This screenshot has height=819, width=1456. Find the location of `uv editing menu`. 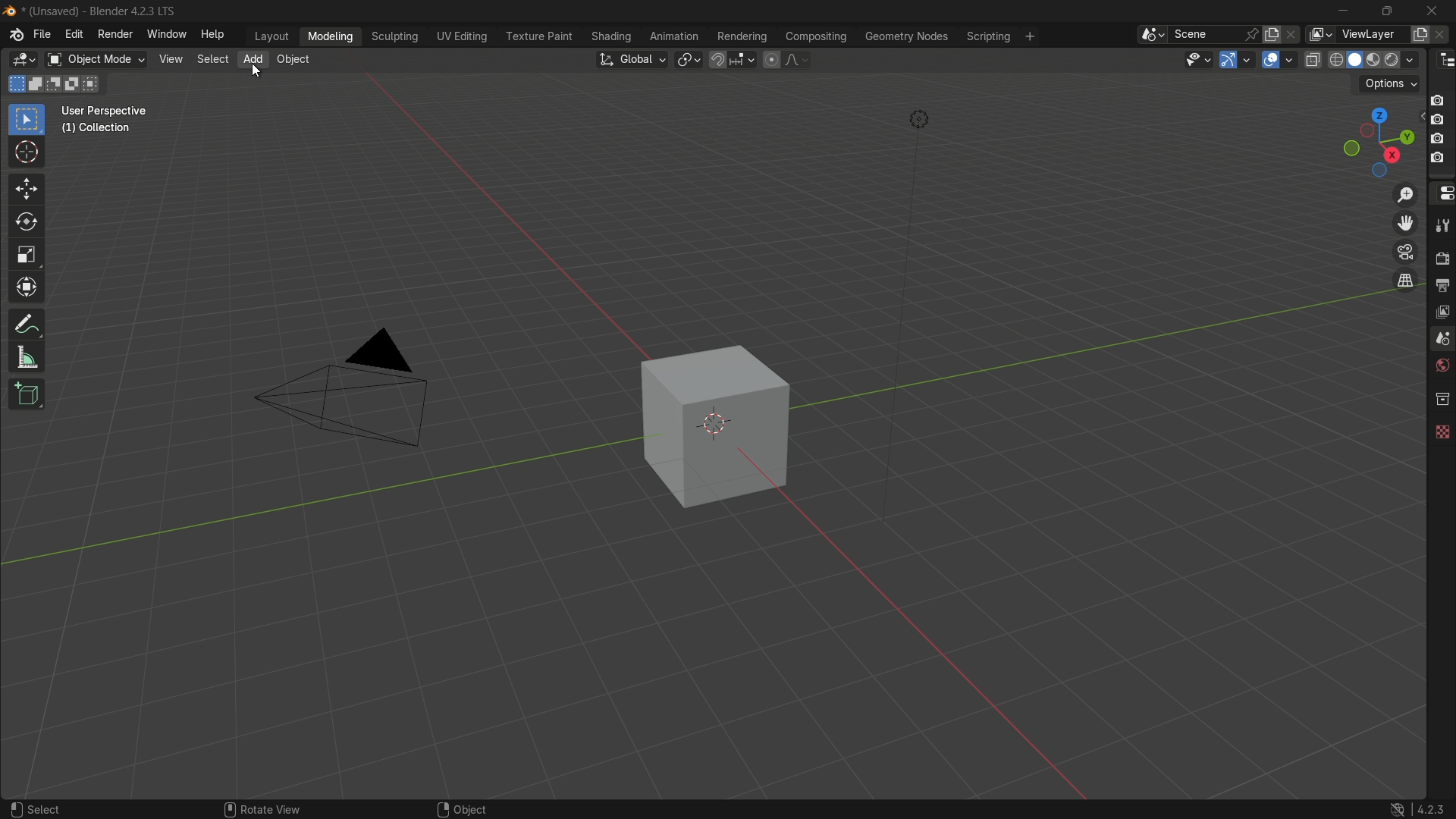

uv editing menu is located at coordinates (462, 36).